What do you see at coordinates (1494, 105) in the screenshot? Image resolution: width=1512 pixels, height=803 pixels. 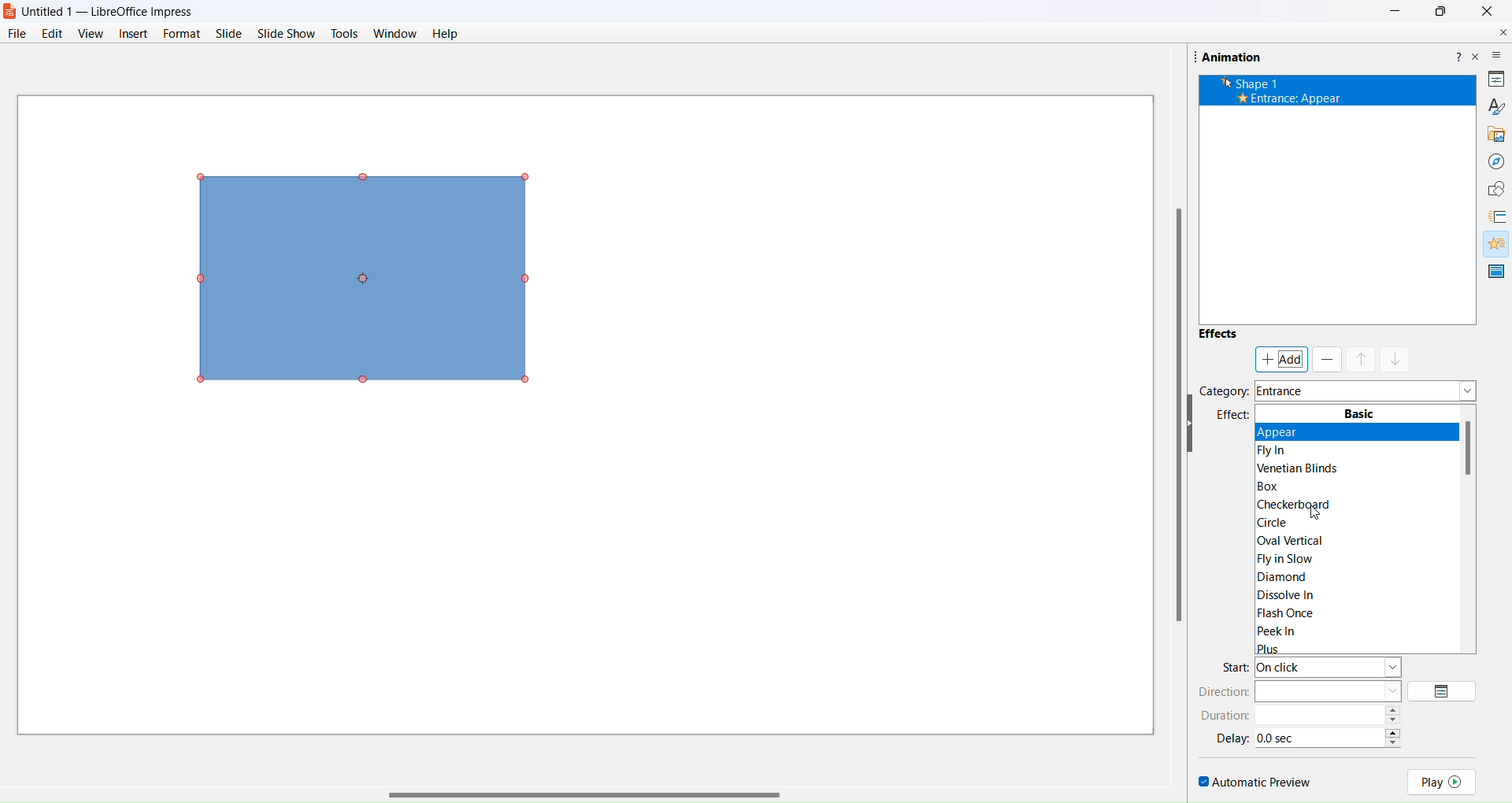 I see `brush` at bounding box center [1494, 105].